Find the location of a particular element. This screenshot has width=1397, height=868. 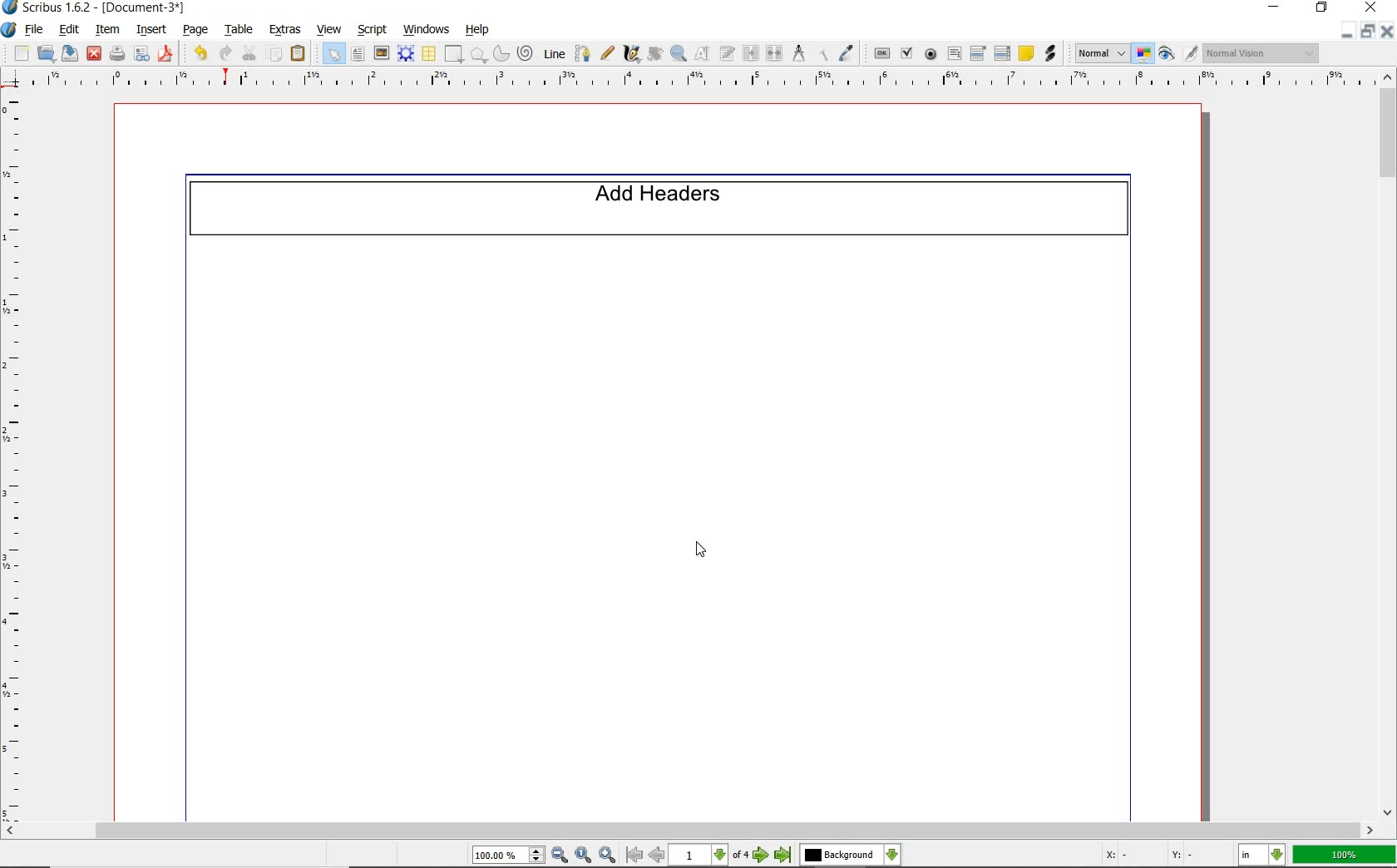

toggle color management is located at coordinates (1145, 53).